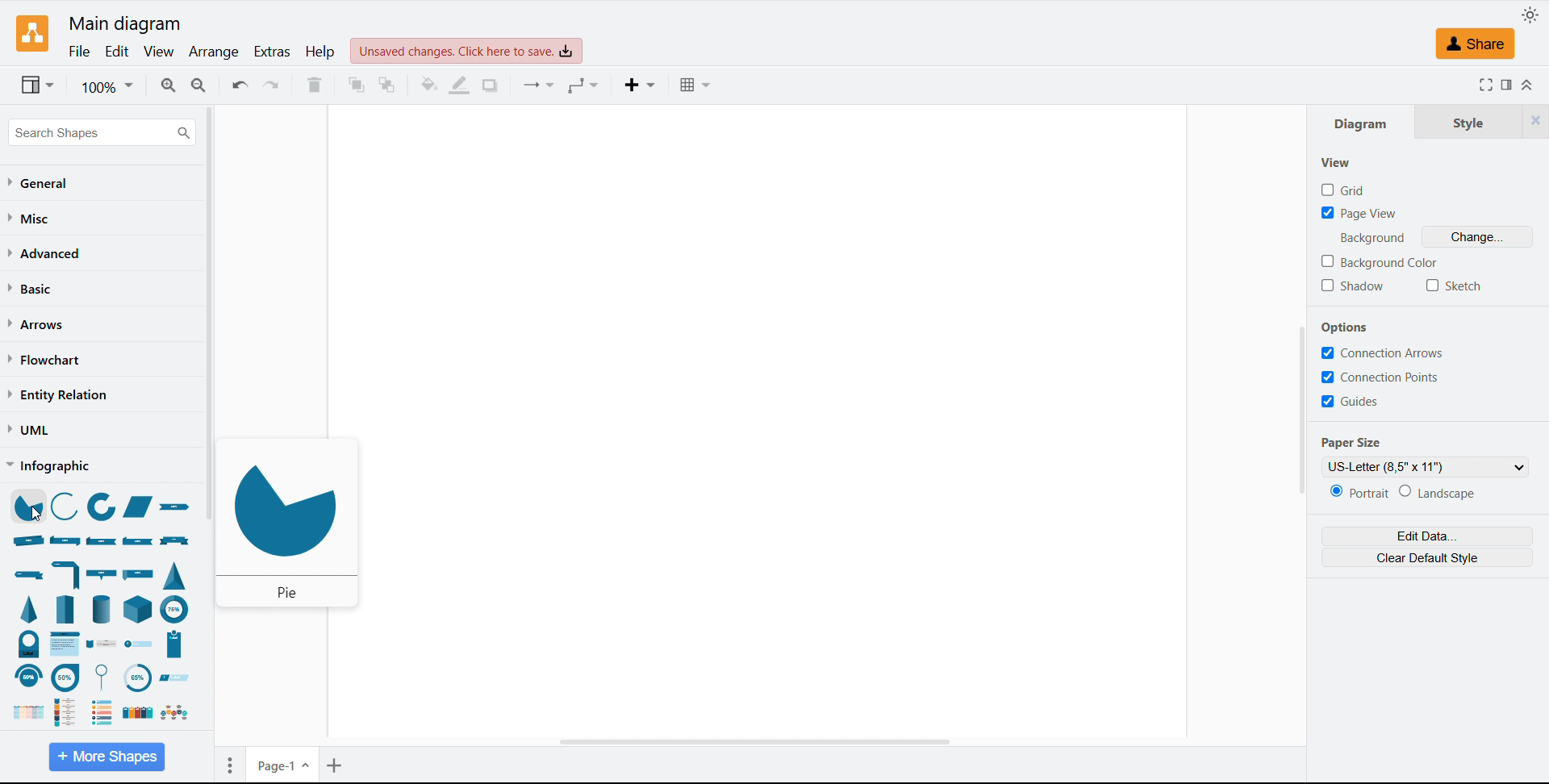  What do you see at coordinates (28, 541) in the screenshot?
I see `ribbon rolled` at bounding box center [28, 541].